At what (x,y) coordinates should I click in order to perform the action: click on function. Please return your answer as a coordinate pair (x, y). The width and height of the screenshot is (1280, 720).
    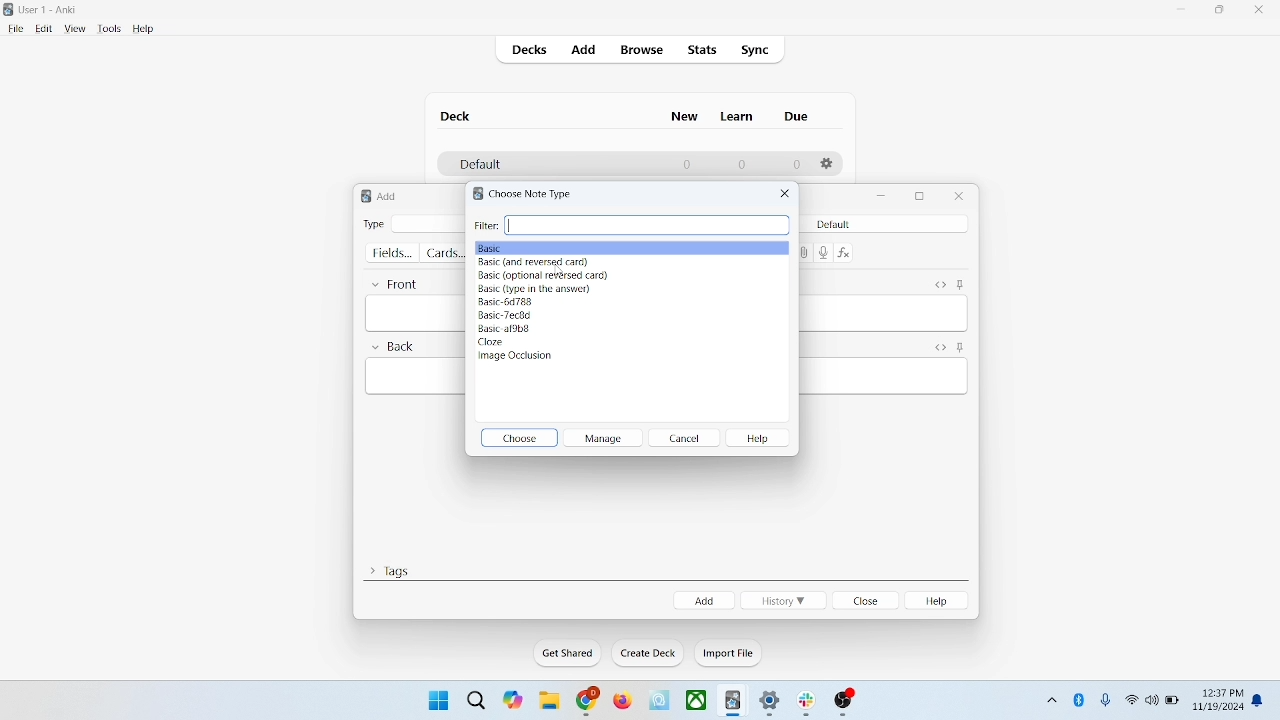
    Looking at the image, I should click on (846, 253).